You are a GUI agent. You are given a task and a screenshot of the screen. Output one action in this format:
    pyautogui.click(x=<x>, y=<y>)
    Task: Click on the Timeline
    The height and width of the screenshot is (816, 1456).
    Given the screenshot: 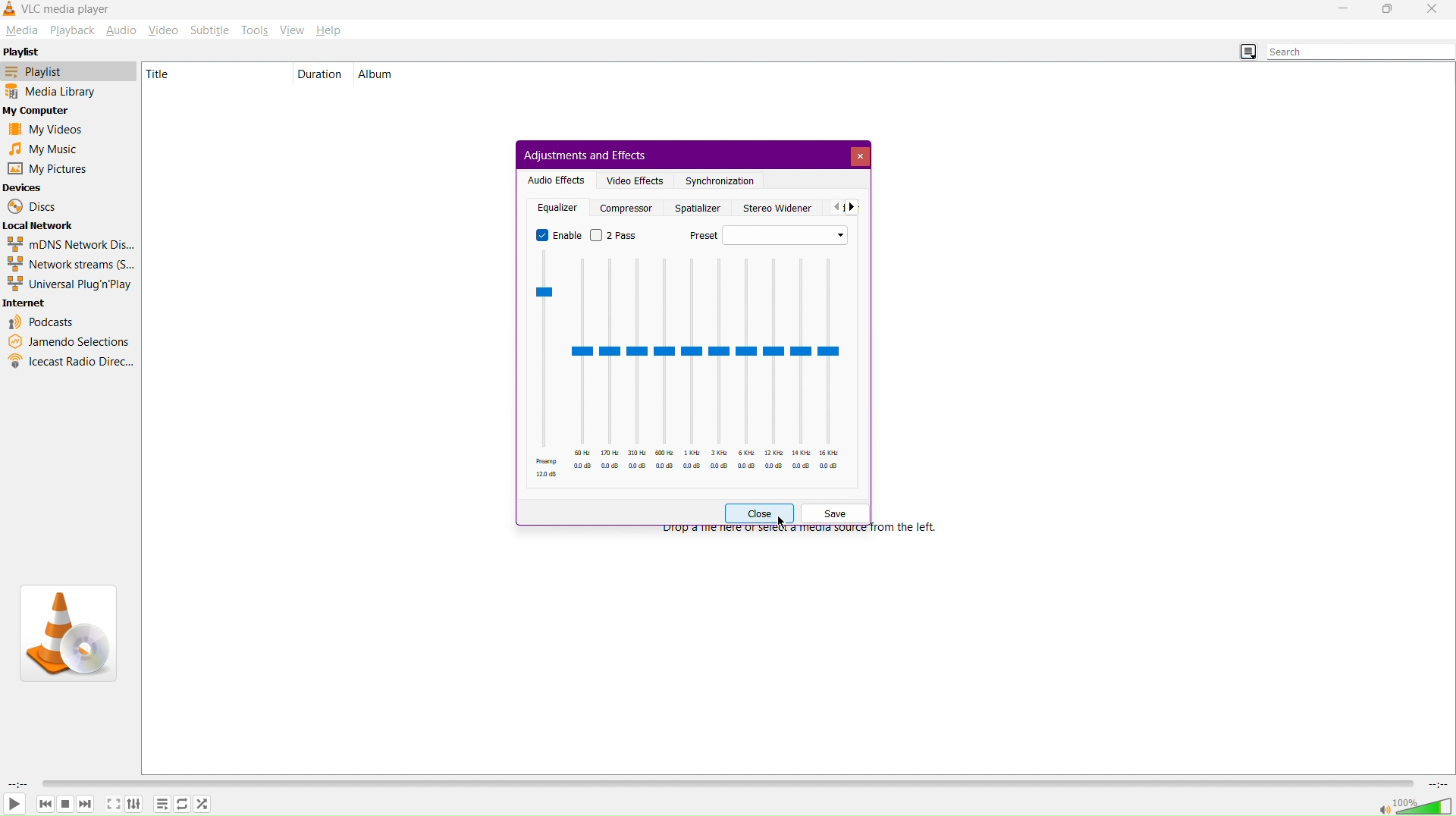 What is the action you would take?
    pyautogui.click(x=745, y=780)
    